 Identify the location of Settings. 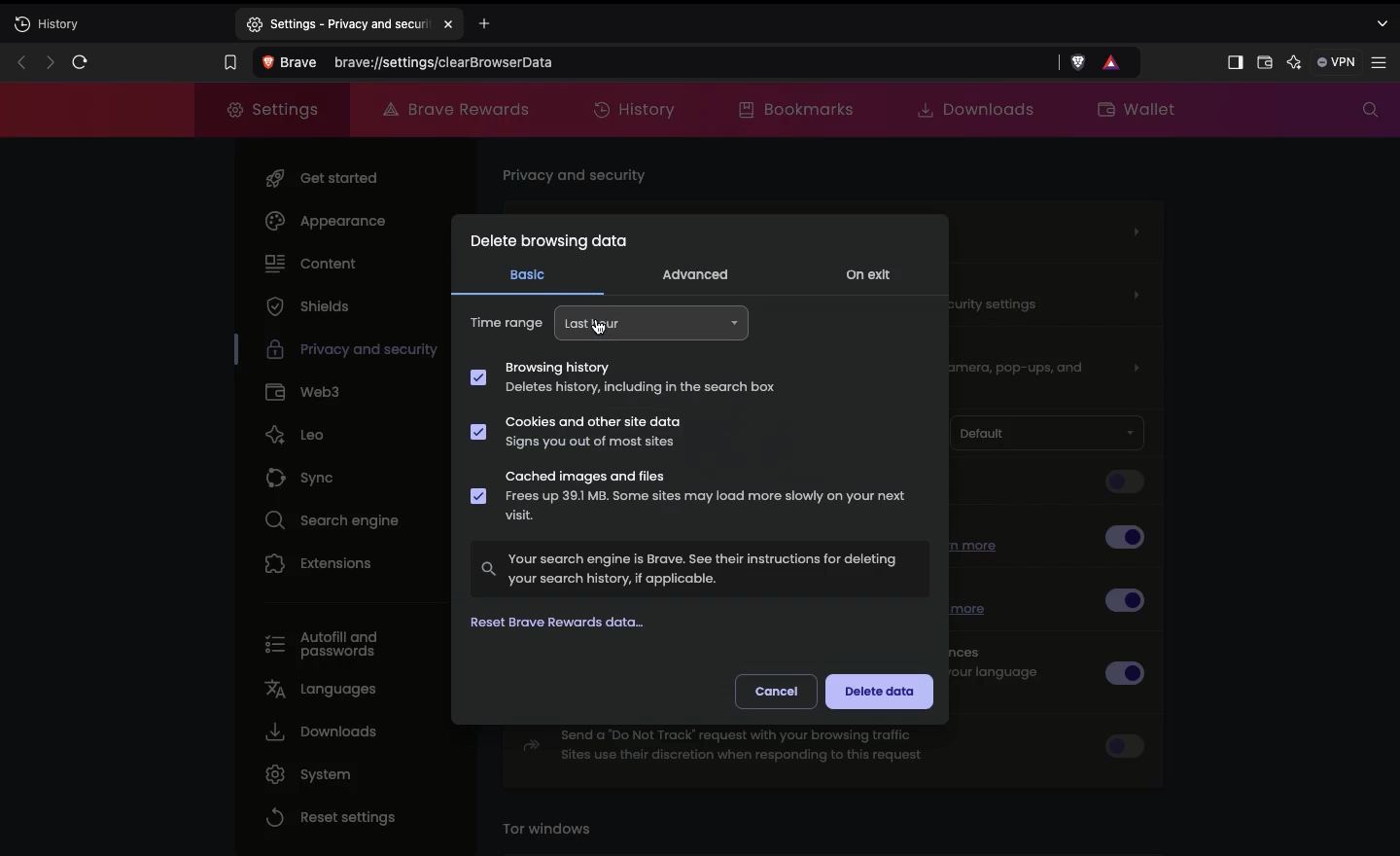
(1382, 62).